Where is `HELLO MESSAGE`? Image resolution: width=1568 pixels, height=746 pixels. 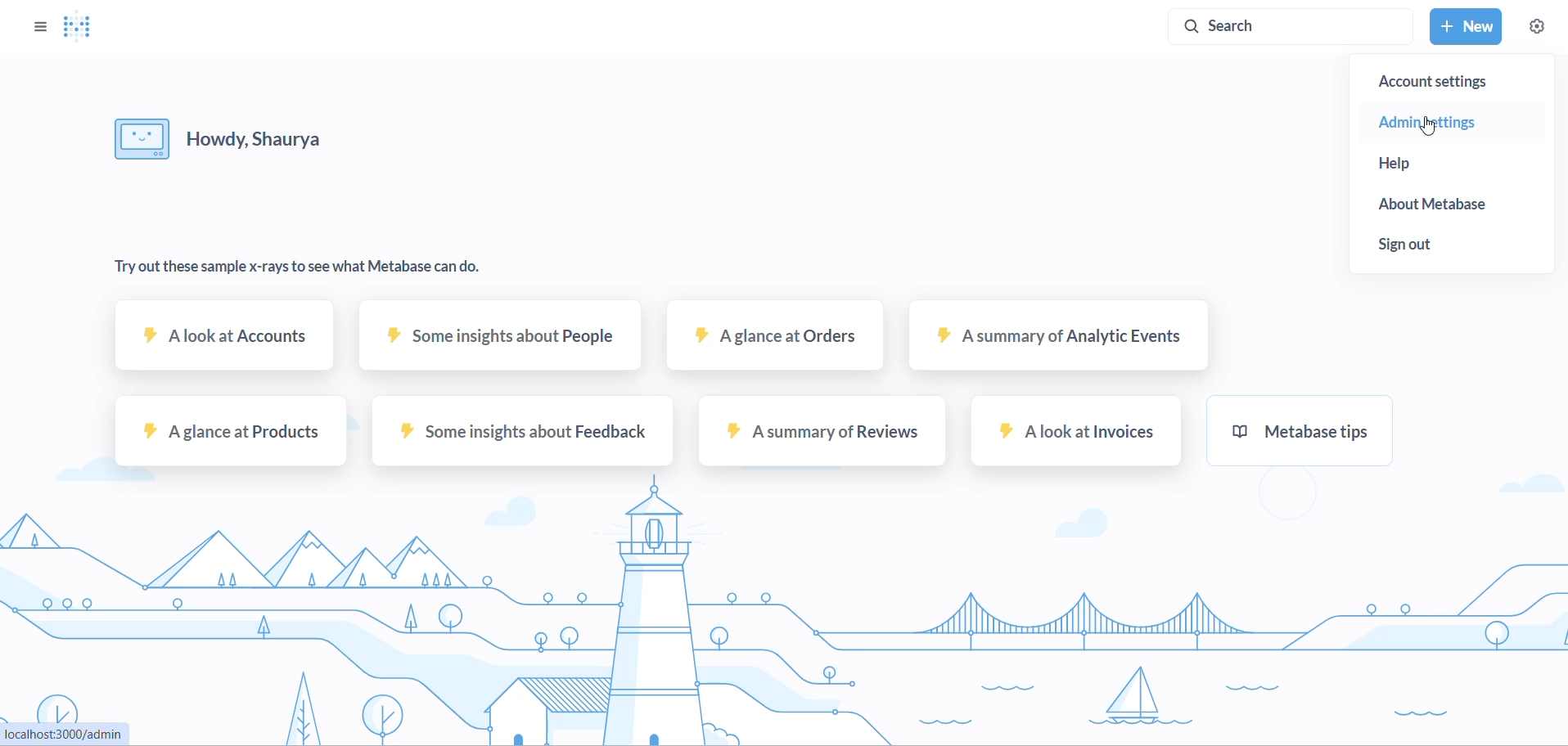 HELLO MESSAGE is located at coordinates (250, 138).